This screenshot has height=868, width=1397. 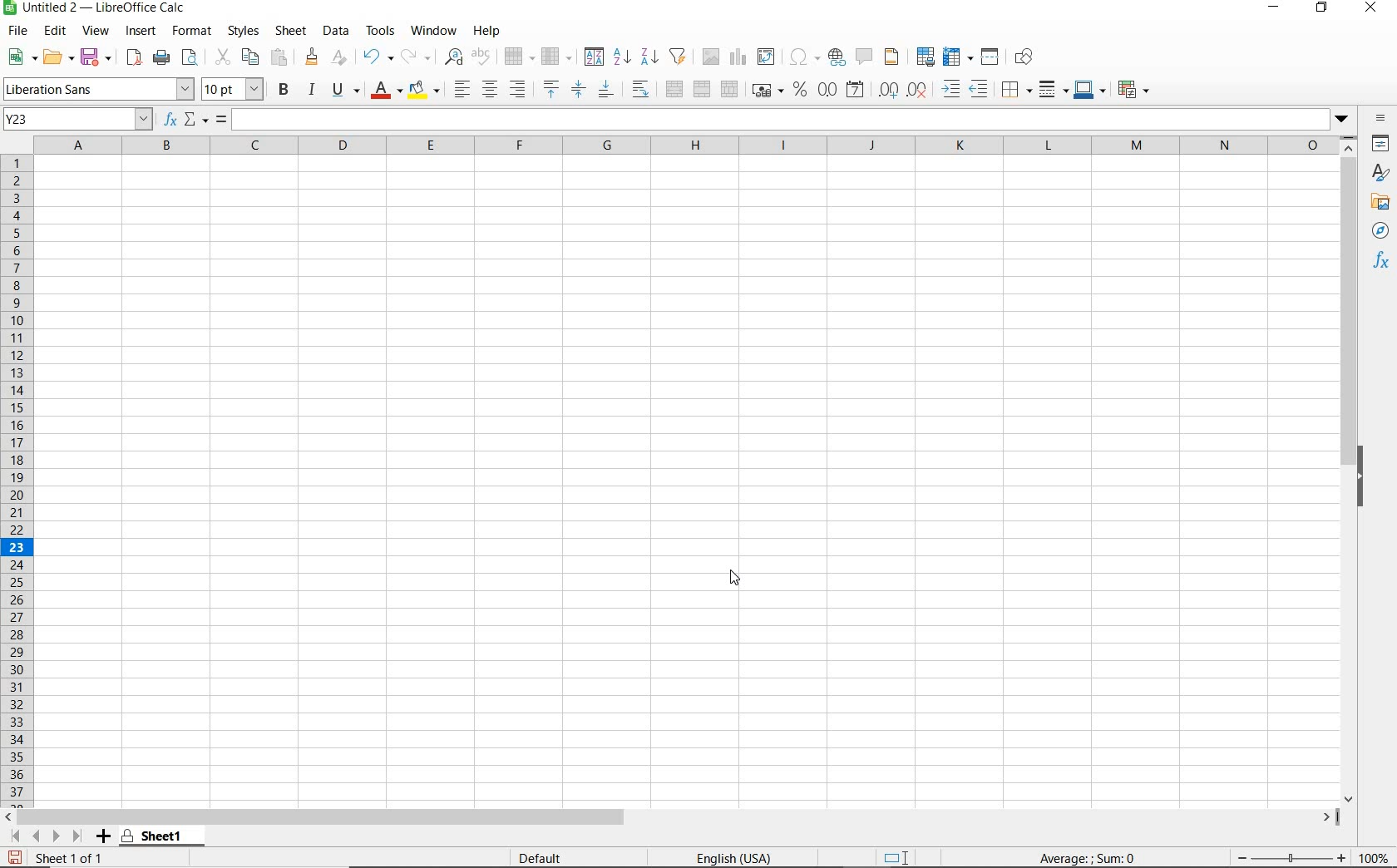 I want to click on DECREASE INDENT, so click(x=980, y=91).